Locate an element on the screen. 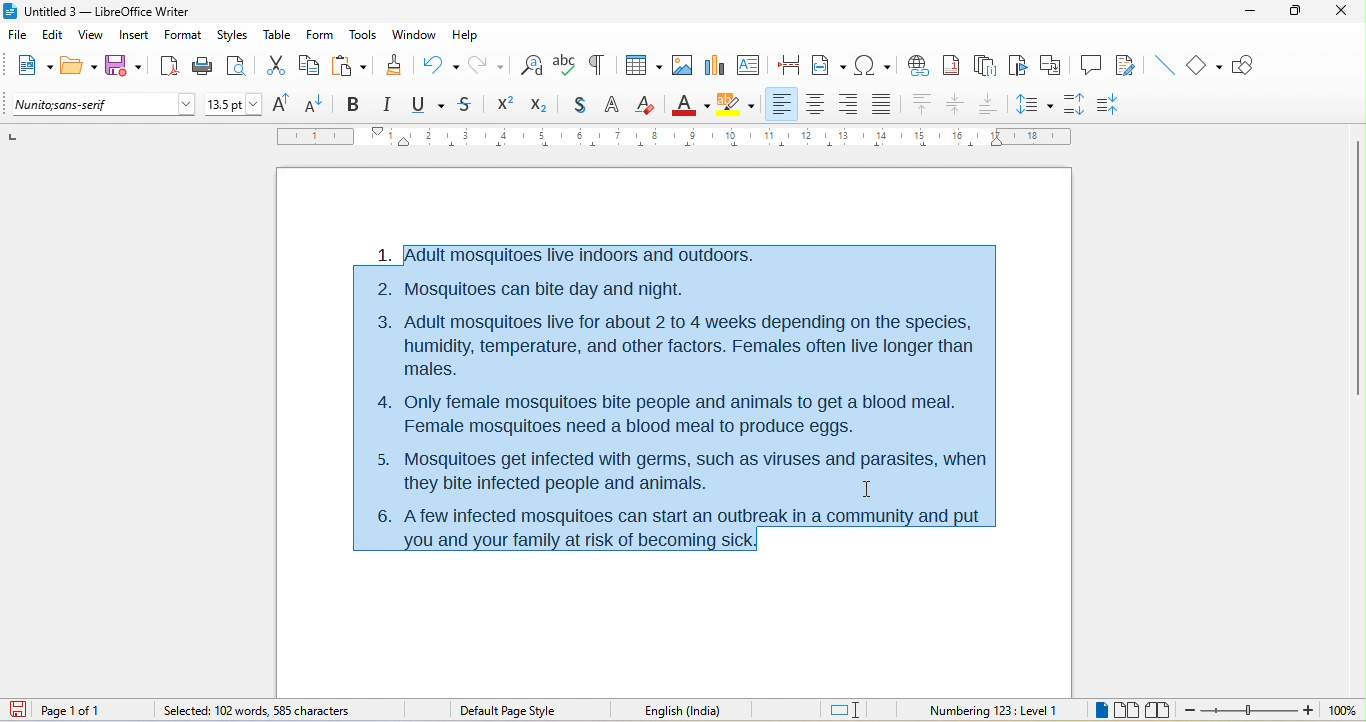 The height and width of the screenshot is (722, 1366). bold is located at coordinates (355, 103).